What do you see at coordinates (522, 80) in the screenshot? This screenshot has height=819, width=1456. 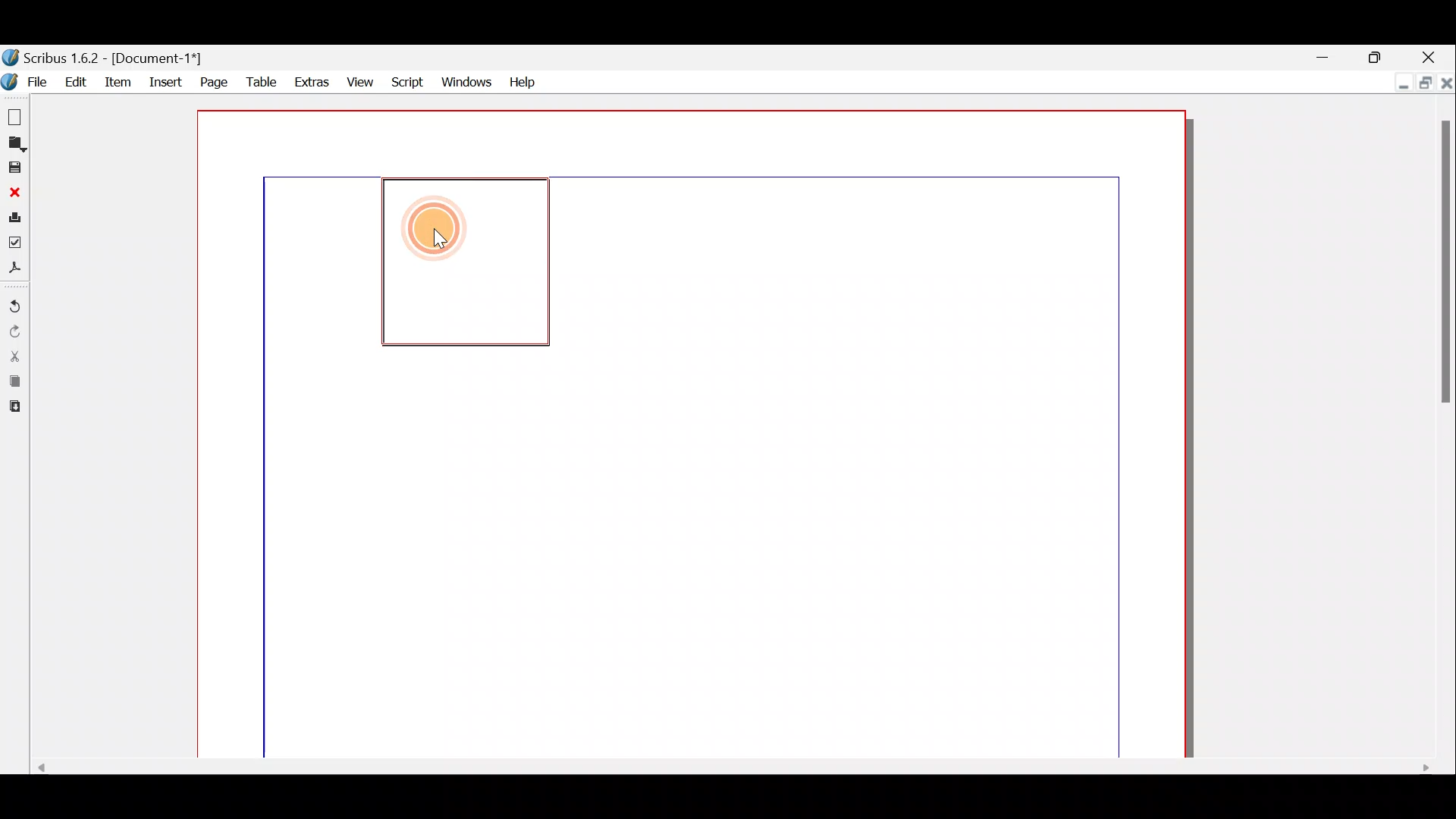 I see `Help` at bounding box center [522, 80].